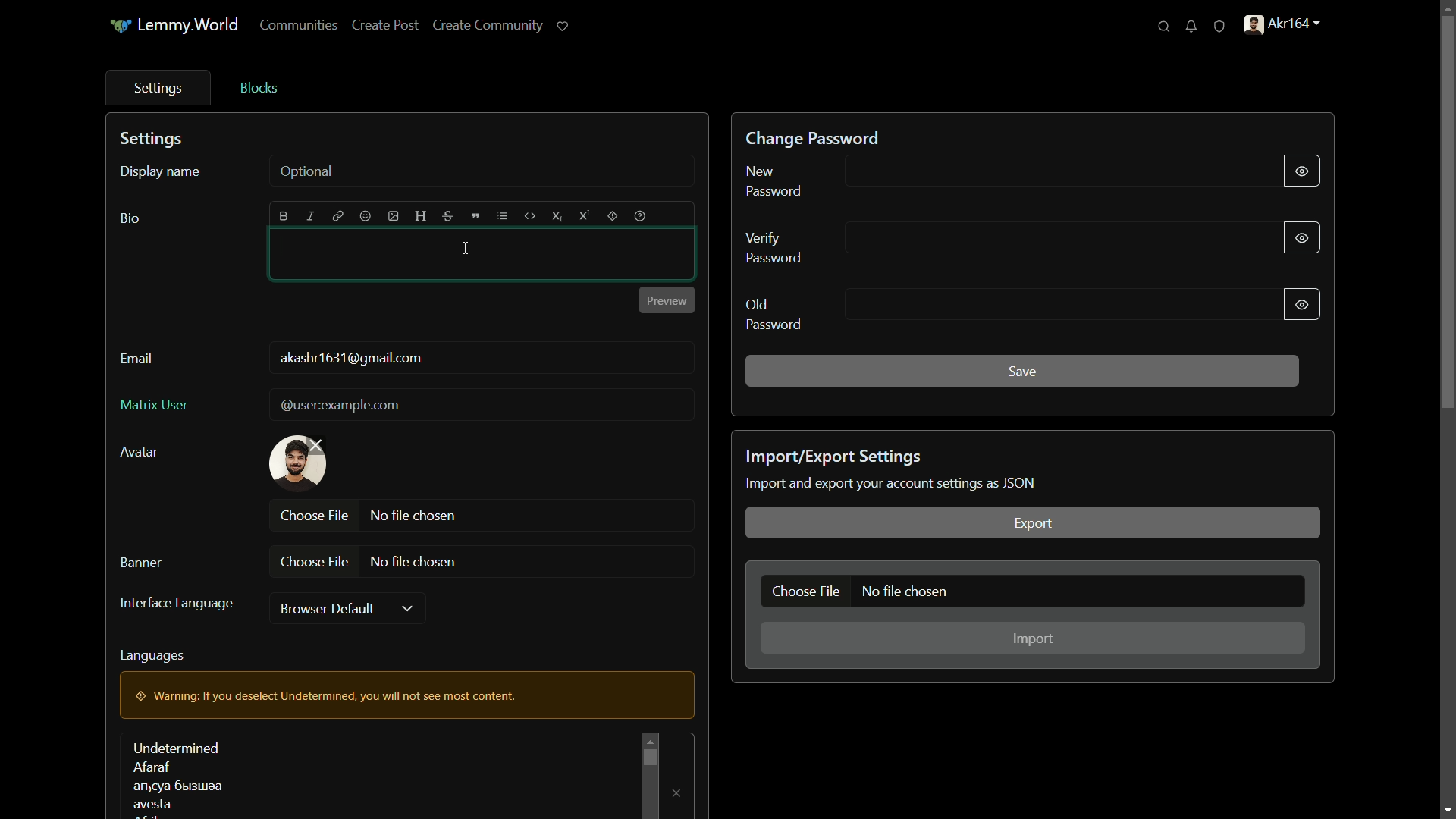  What do you see at coordinates (475, 217) in the screenshot?
I see `quote` at bounding box center [475, 217].